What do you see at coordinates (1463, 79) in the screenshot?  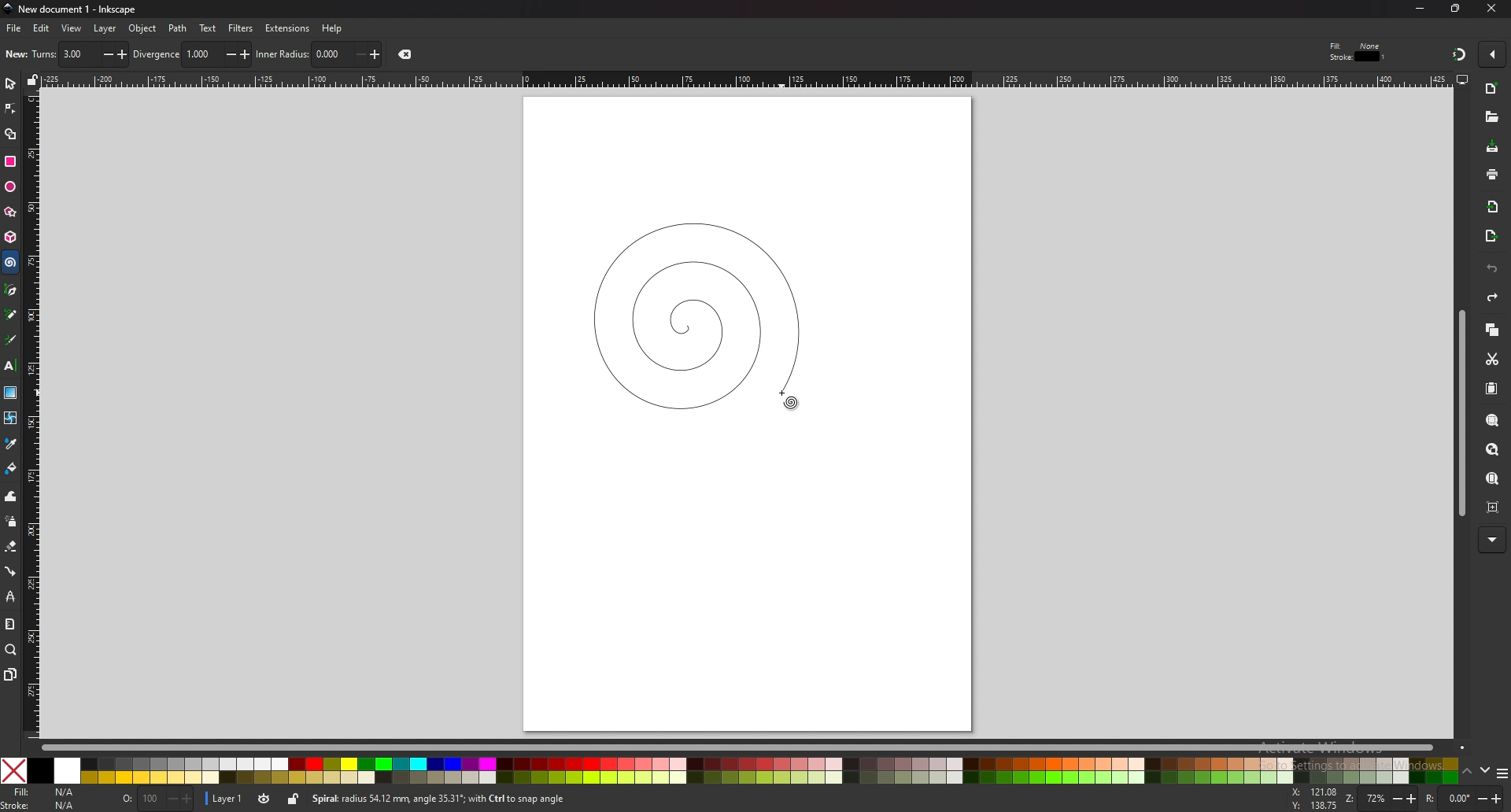 I see `display tools` at bounding box center [1463, 79].